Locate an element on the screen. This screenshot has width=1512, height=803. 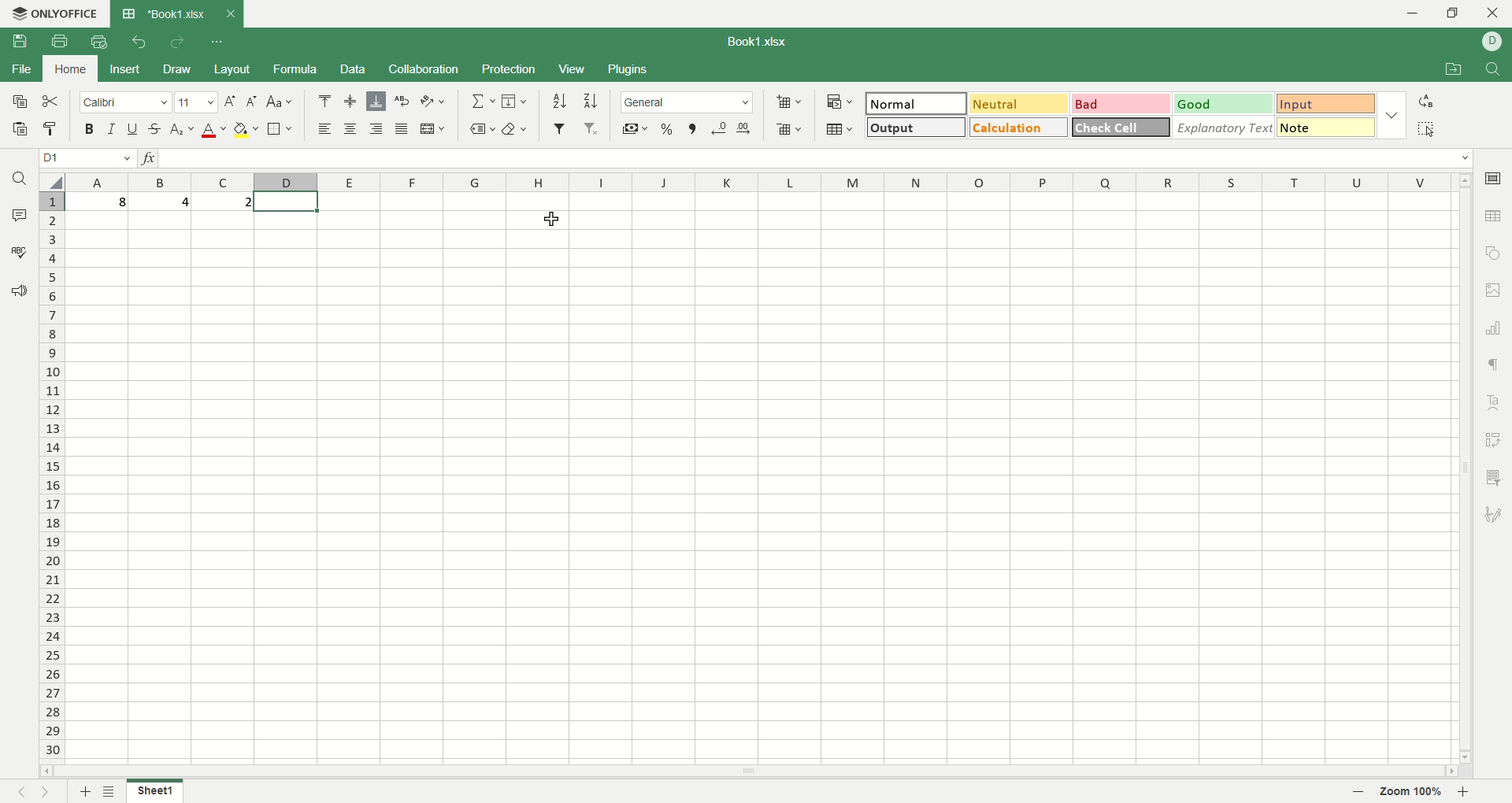
paste is located at coordinates (20, 128).